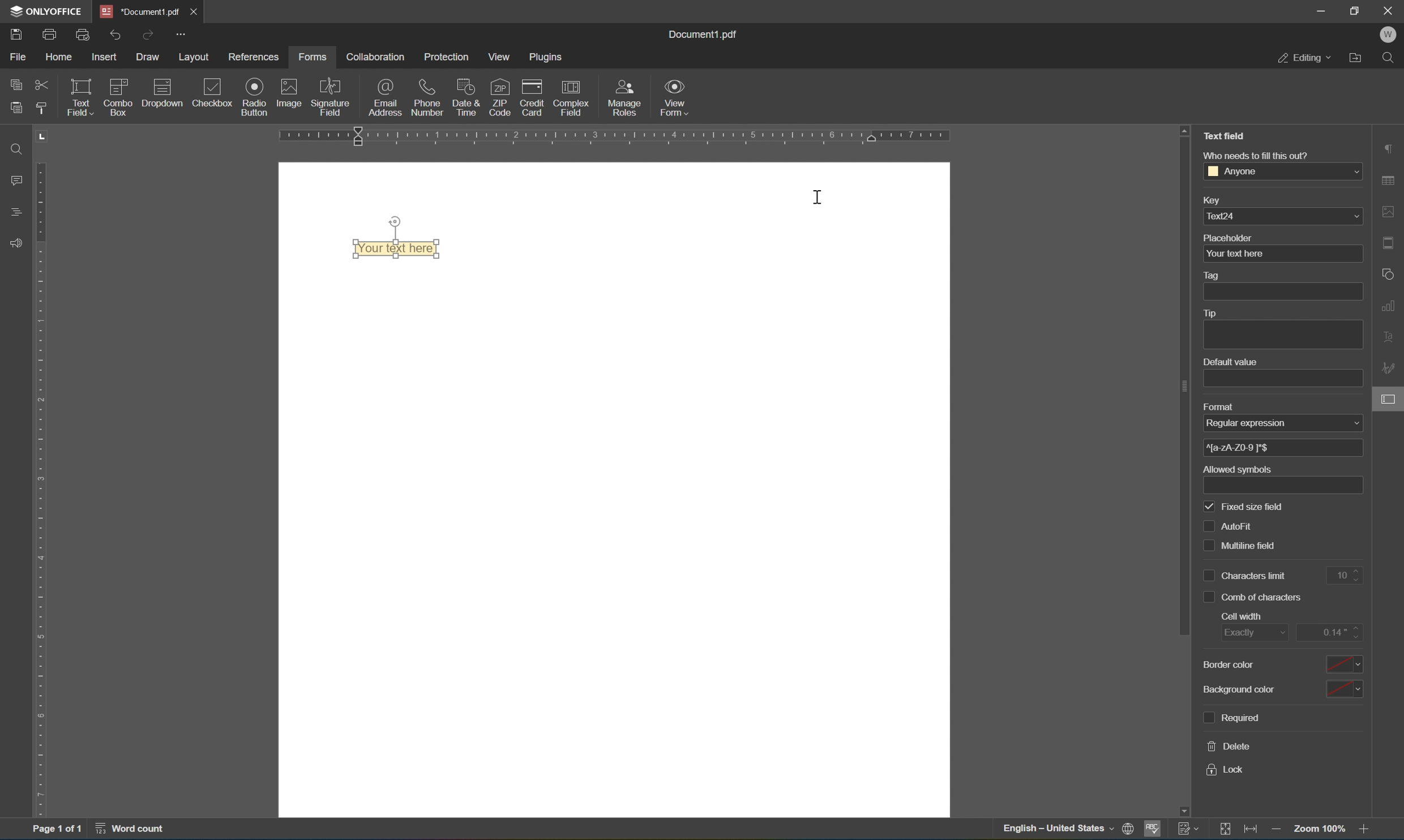  What do you see at coordinates (1392, 58) in the screenshot?
I see `find` at bounding box center [1392, 58].